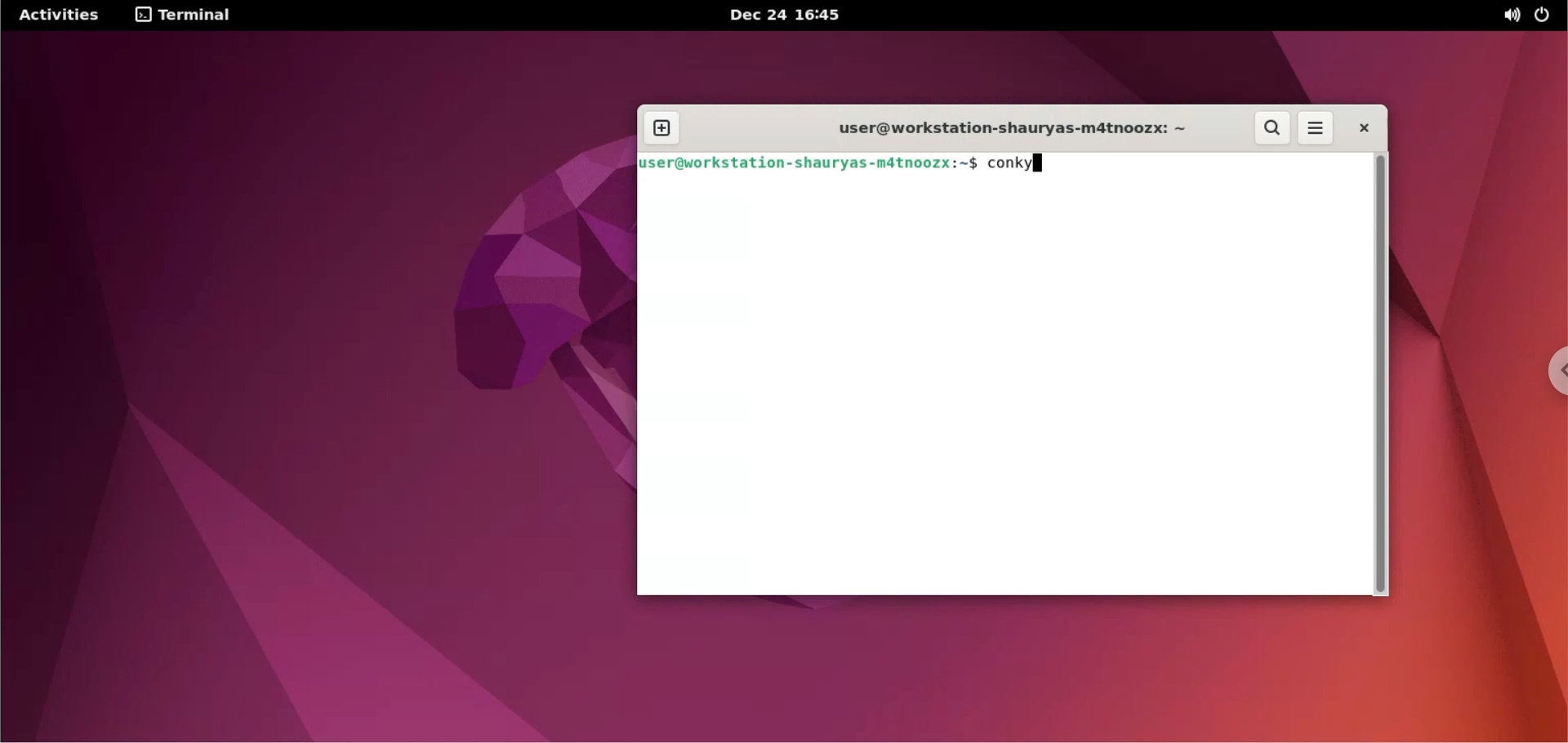 The image size is (1568, 743). What do you see at coordinates (1040, 165) in the screenshot?
I see `cursor` at bounding box center [1040, 165].